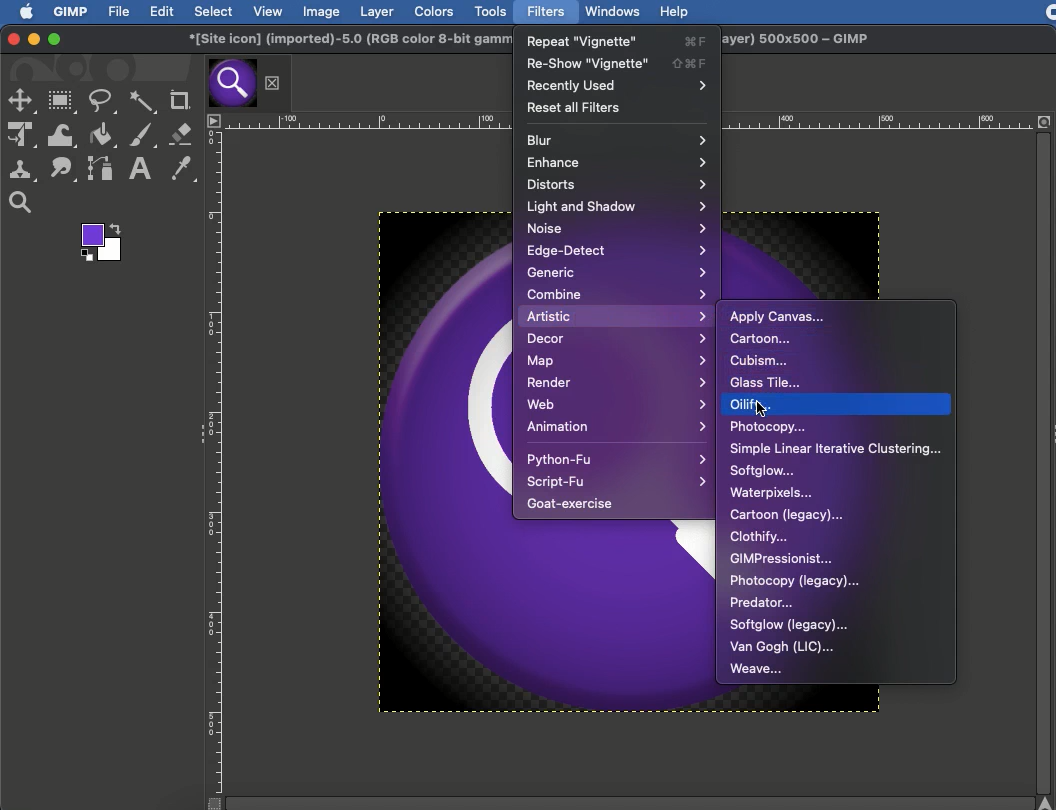 The image size is (1056, 810). What do you see at coordinates (778, 316) in the screenshot?
I see `Apply canvas` at bounding box center [778, 316].